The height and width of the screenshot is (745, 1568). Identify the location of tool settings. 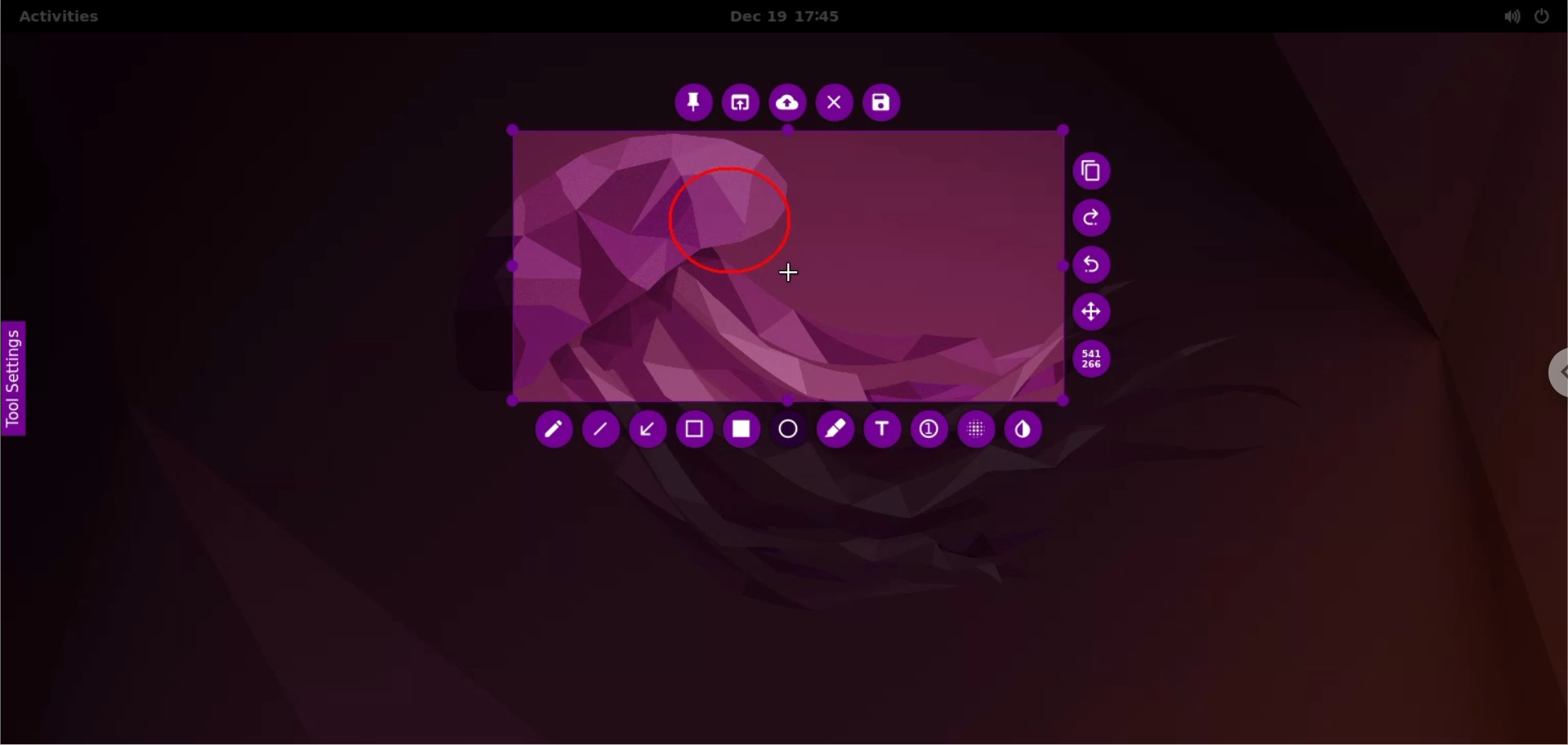
(23, 386).